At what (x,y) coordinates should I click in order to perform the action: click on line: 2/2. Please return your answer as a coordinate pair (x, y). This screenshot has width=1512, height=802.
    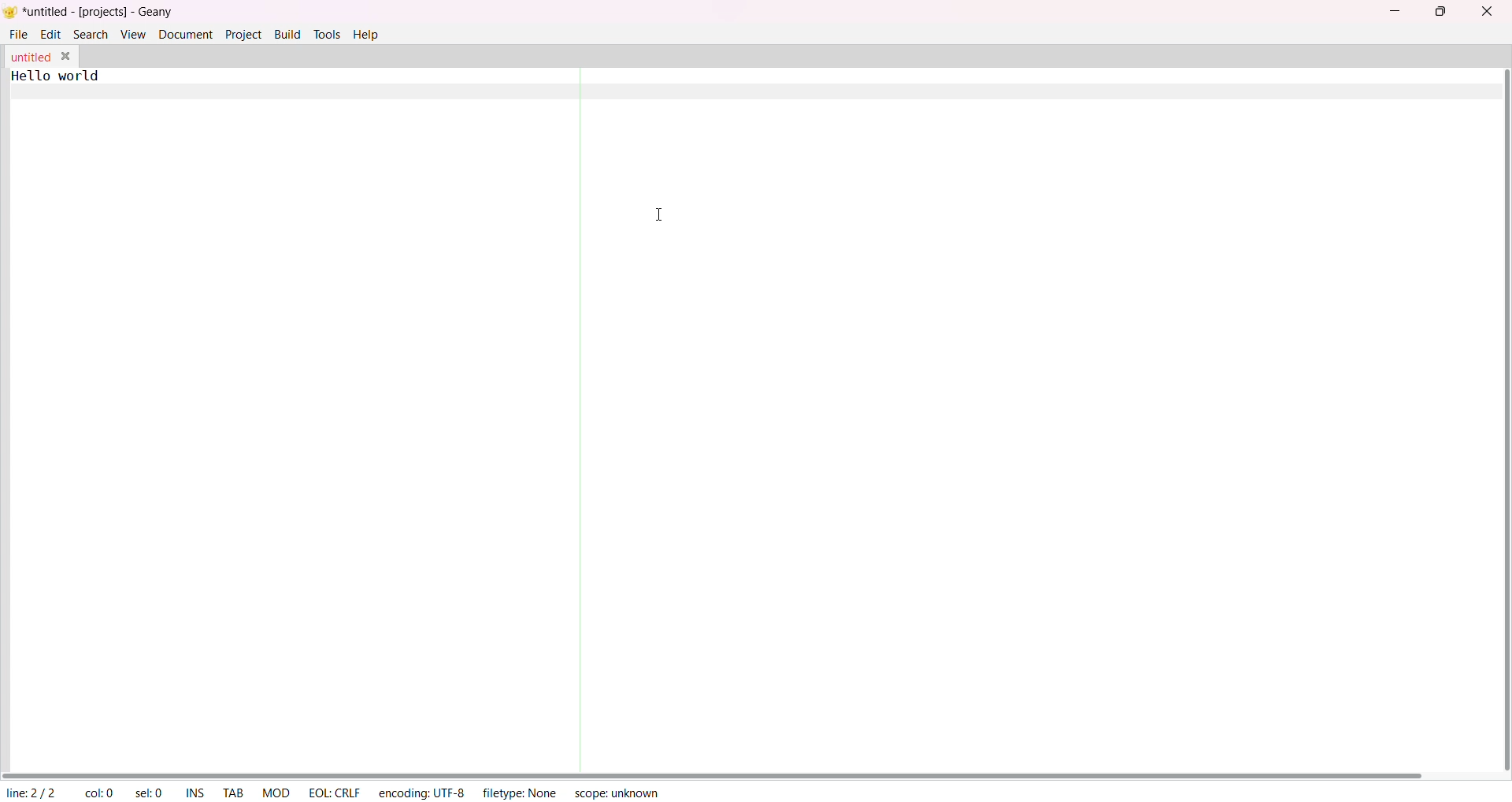
    Looking at the image, I should click on (30, 793).